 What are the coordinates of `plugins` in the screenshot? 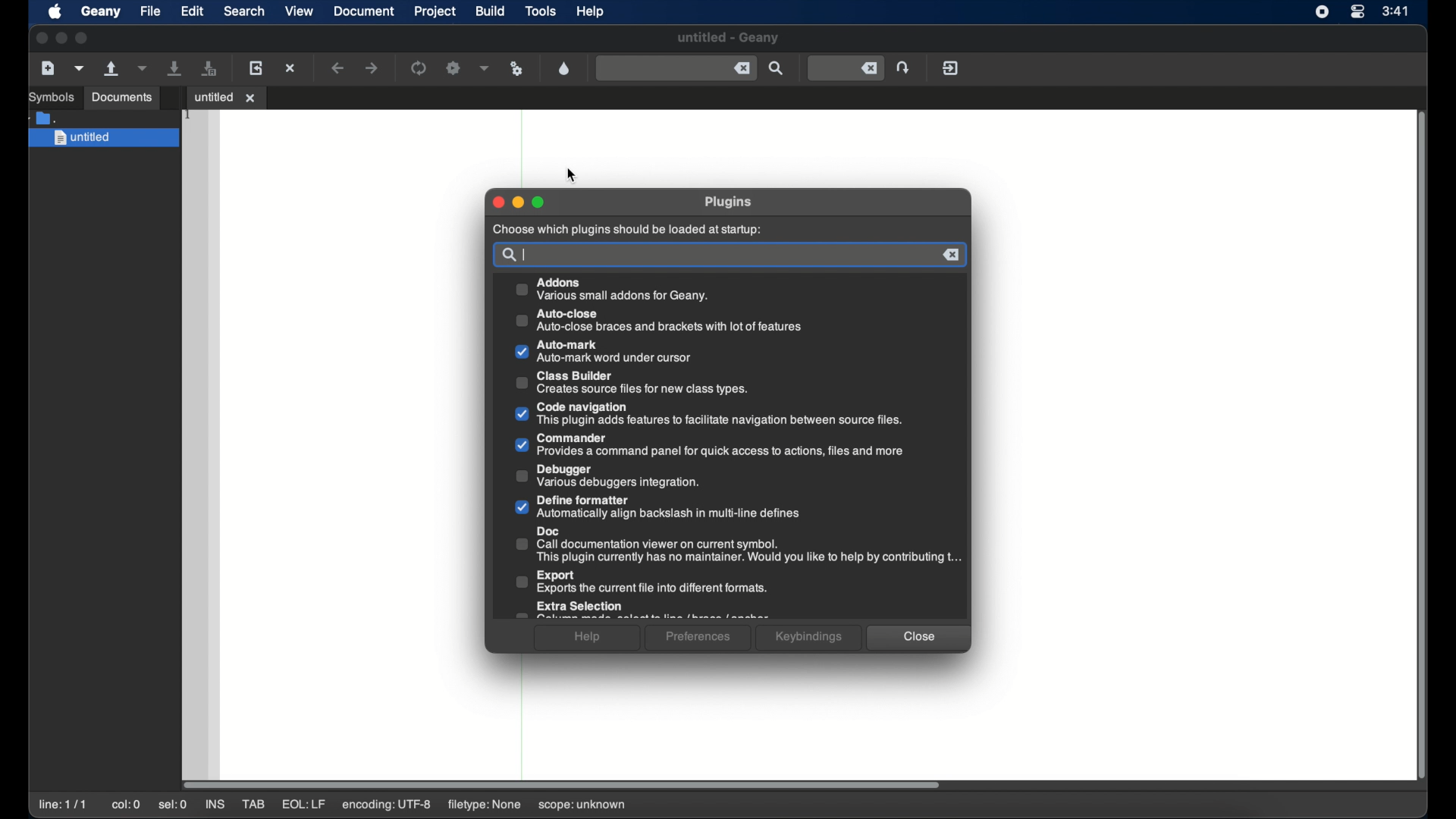 It's located at (728, 202).